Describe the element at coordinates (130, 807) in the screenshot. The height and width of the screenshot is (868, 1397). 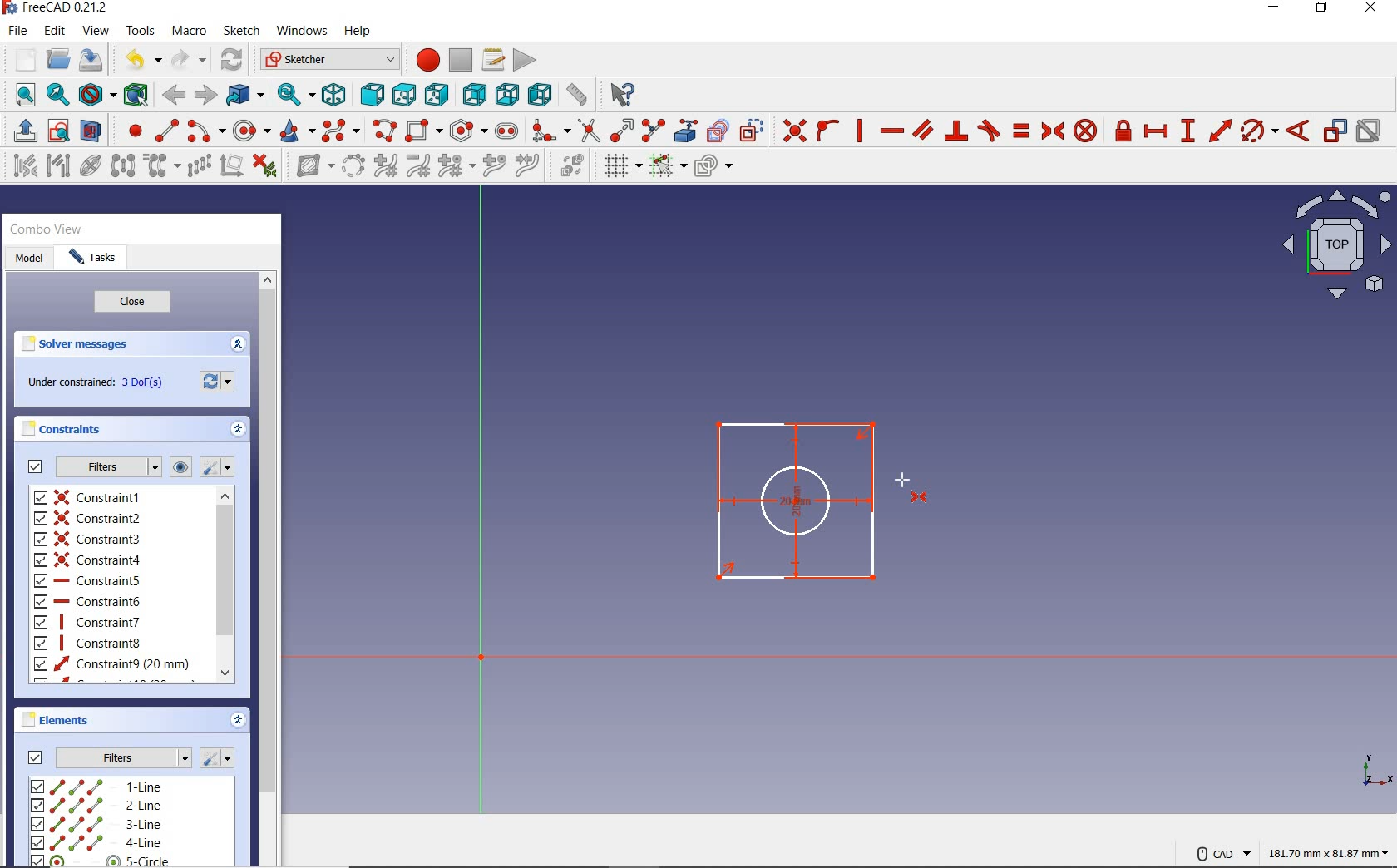
I see `2-LINE` at that location.